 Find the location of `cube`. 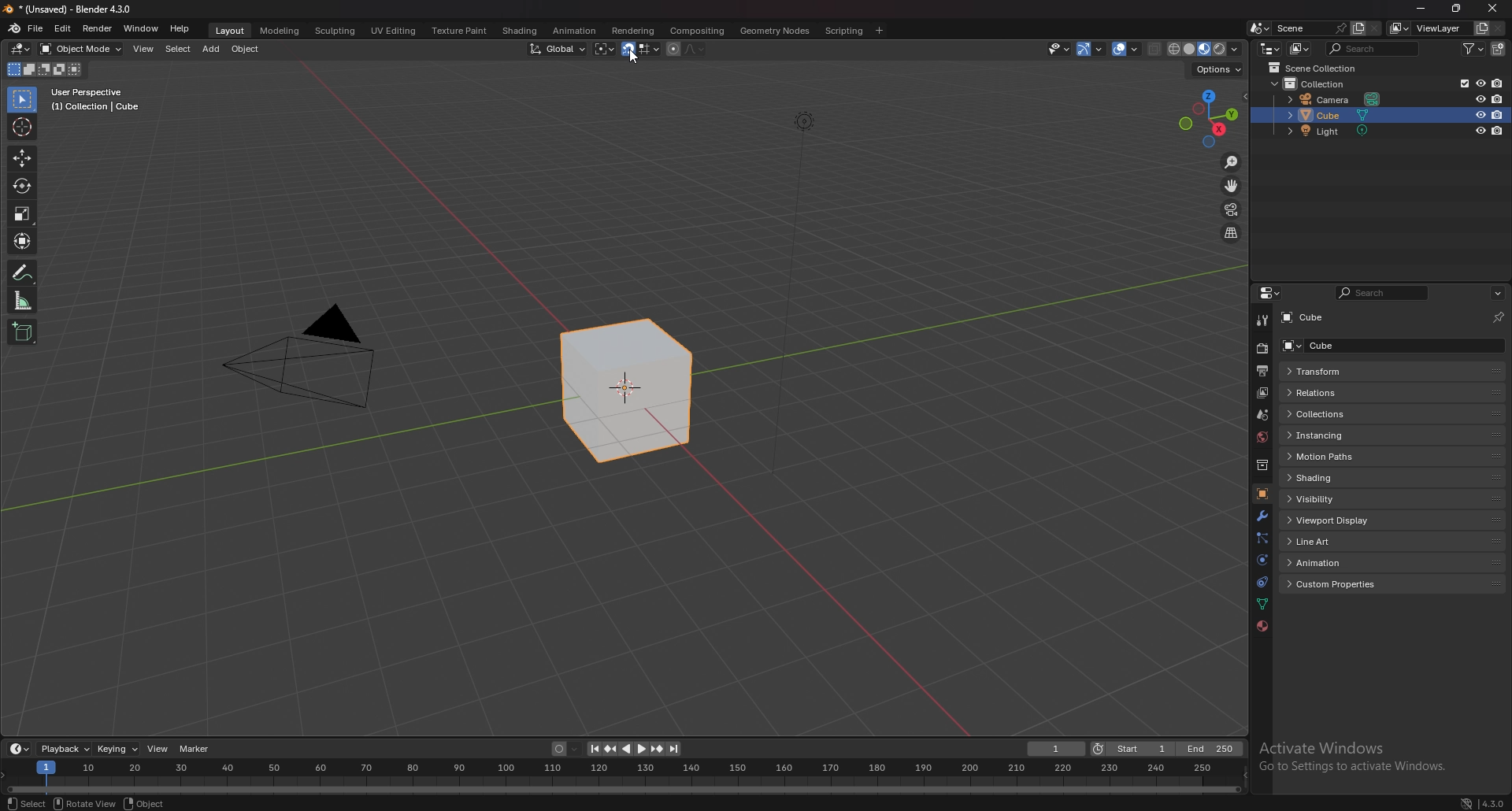

cube is located at coordinates (1315, 318).